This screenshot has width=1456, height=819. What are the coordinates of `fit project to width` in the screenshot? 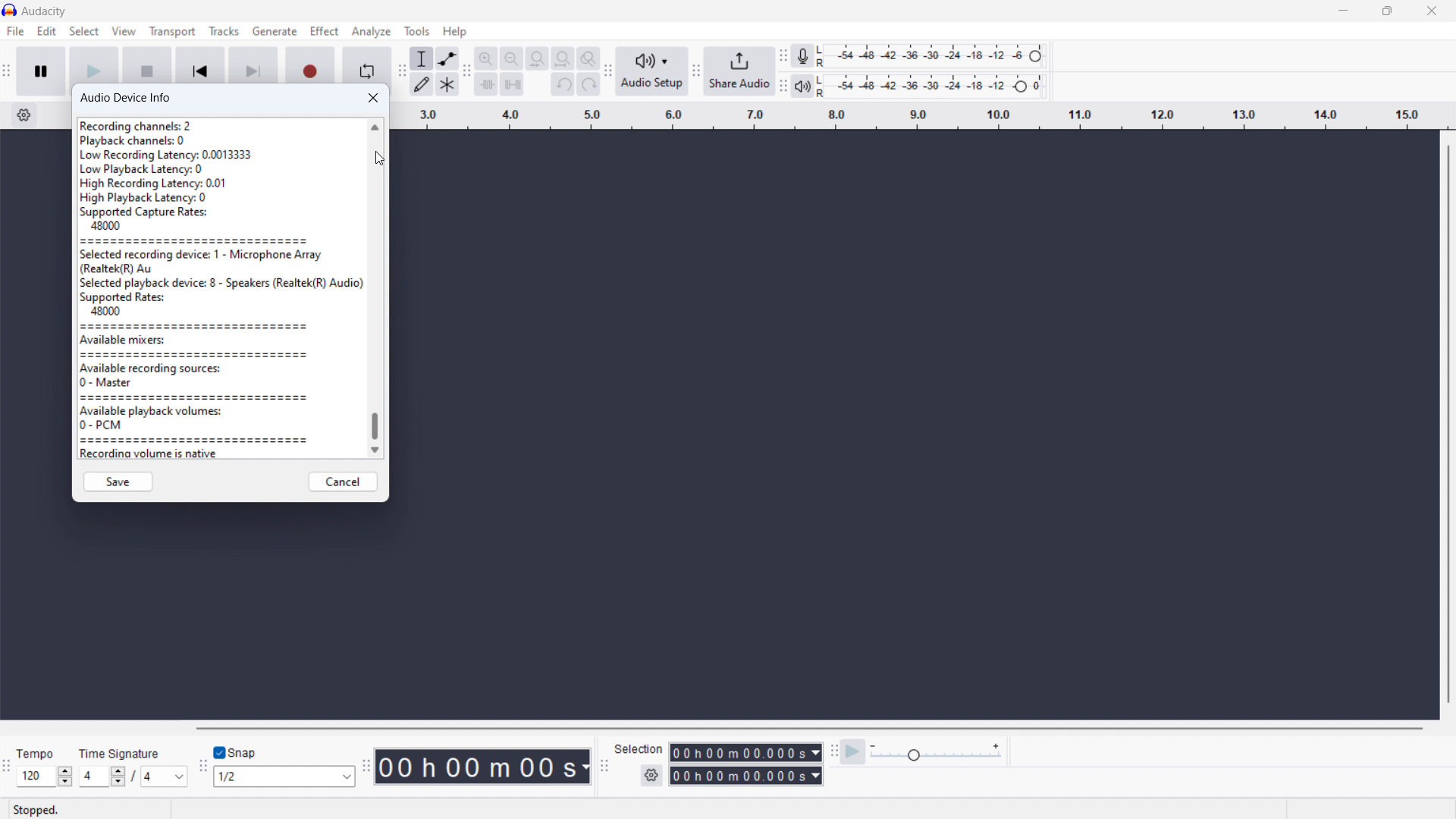 It's located at (563, 58).